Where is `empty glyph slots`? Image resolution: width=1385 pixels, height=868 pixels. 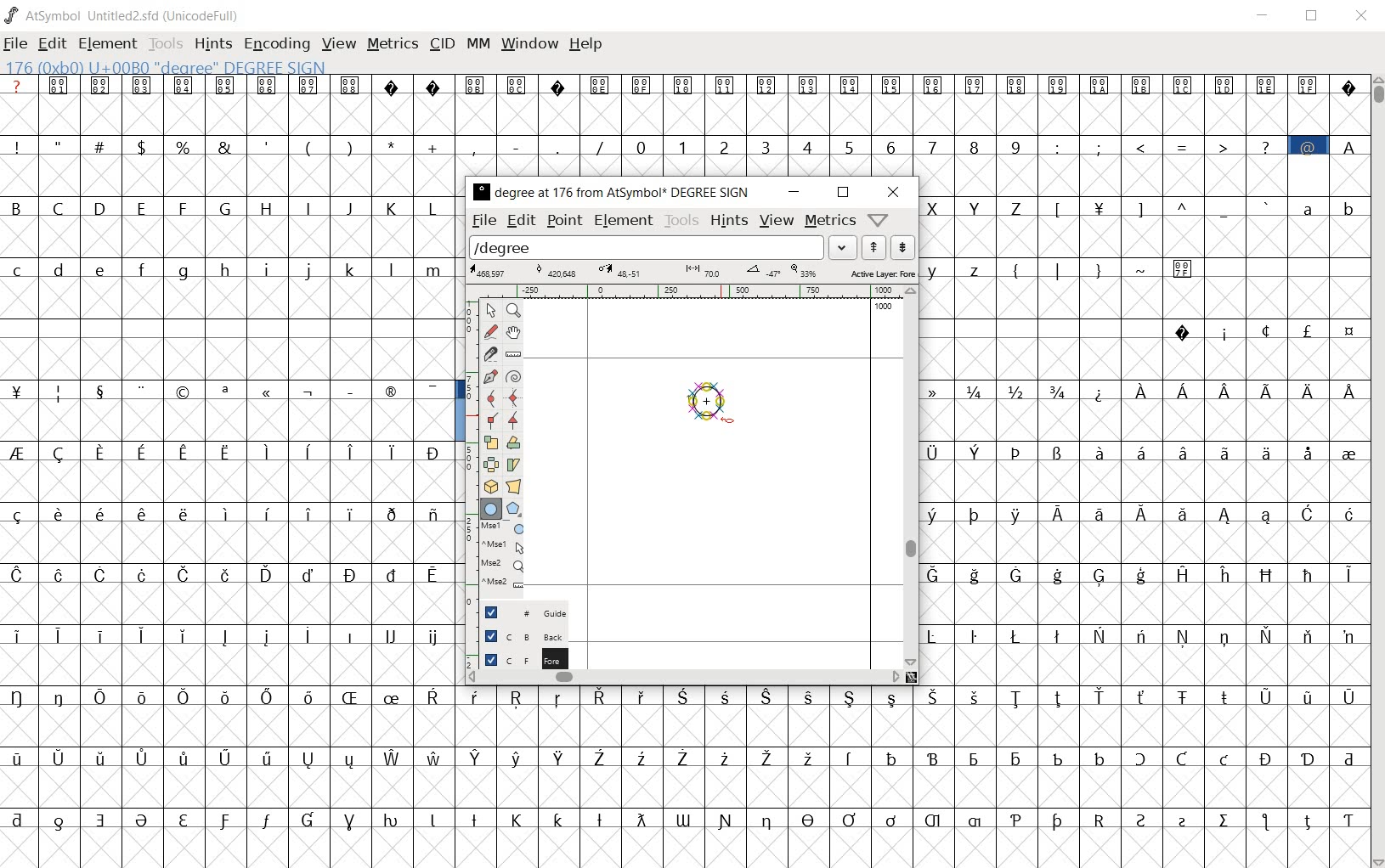
empty glyph slots is located at coordinates (227, 302).